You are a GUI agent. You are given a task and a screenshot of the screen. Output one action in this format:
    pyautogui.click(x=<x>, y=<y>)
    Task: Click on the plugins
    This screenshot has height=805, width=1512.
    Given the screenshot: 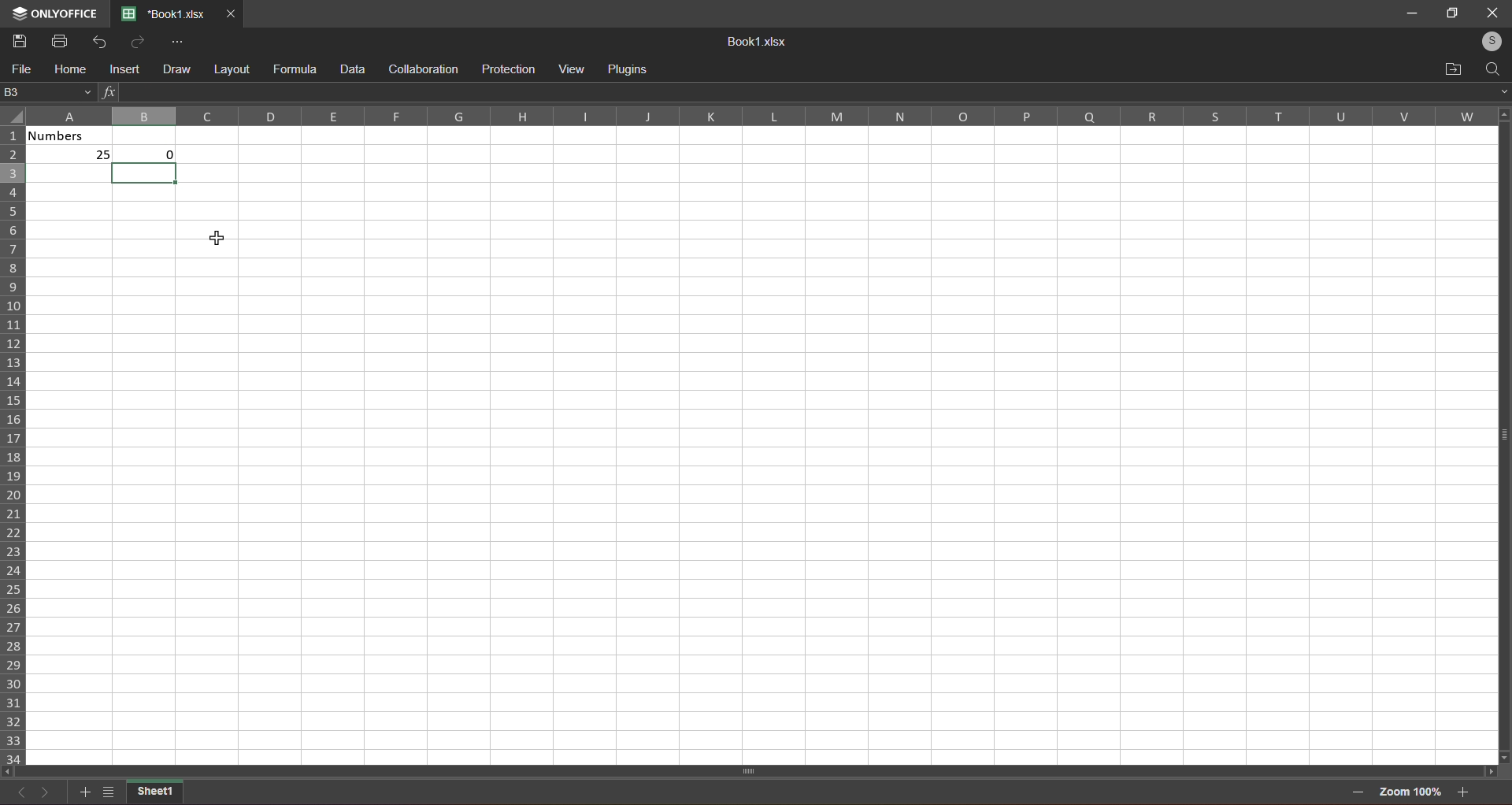 What is the action you would take?
    pyautogui.click(x=632, y=67)
    